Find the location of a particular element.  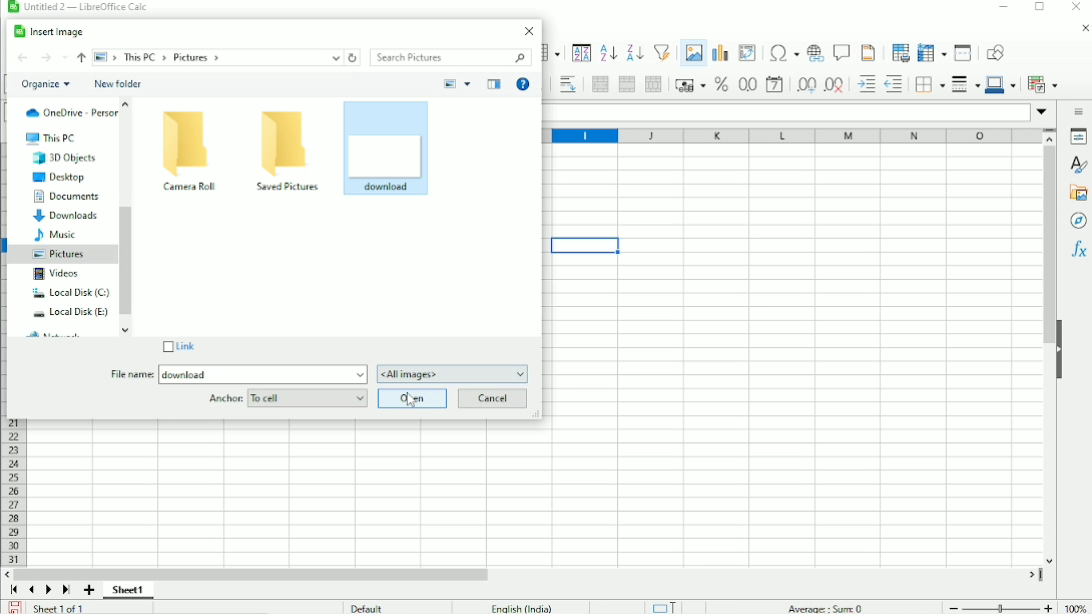

Headers and footers is located at coordinates (869, 52).